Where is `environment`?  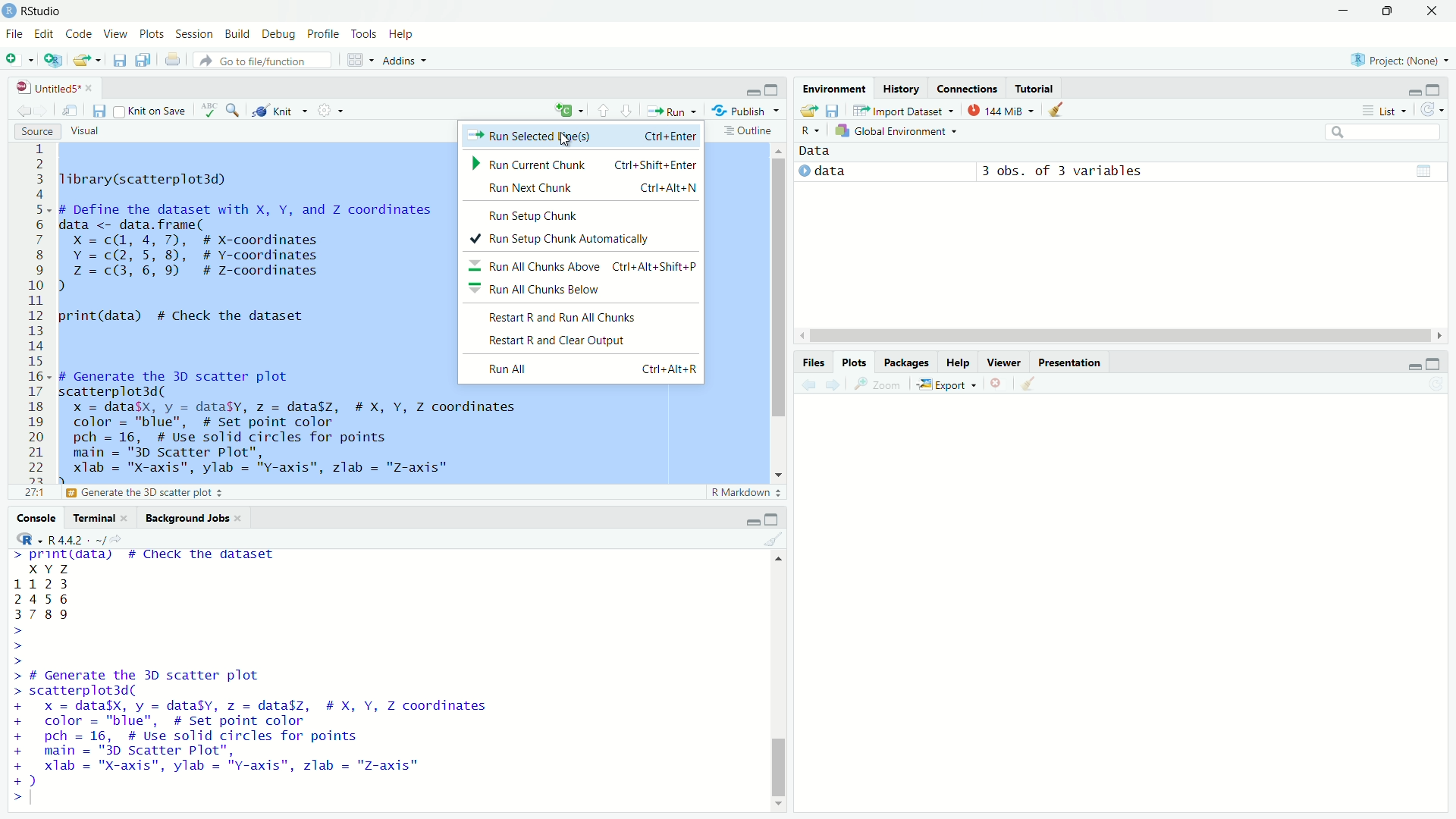 environment is located at coordinates (833, 88).